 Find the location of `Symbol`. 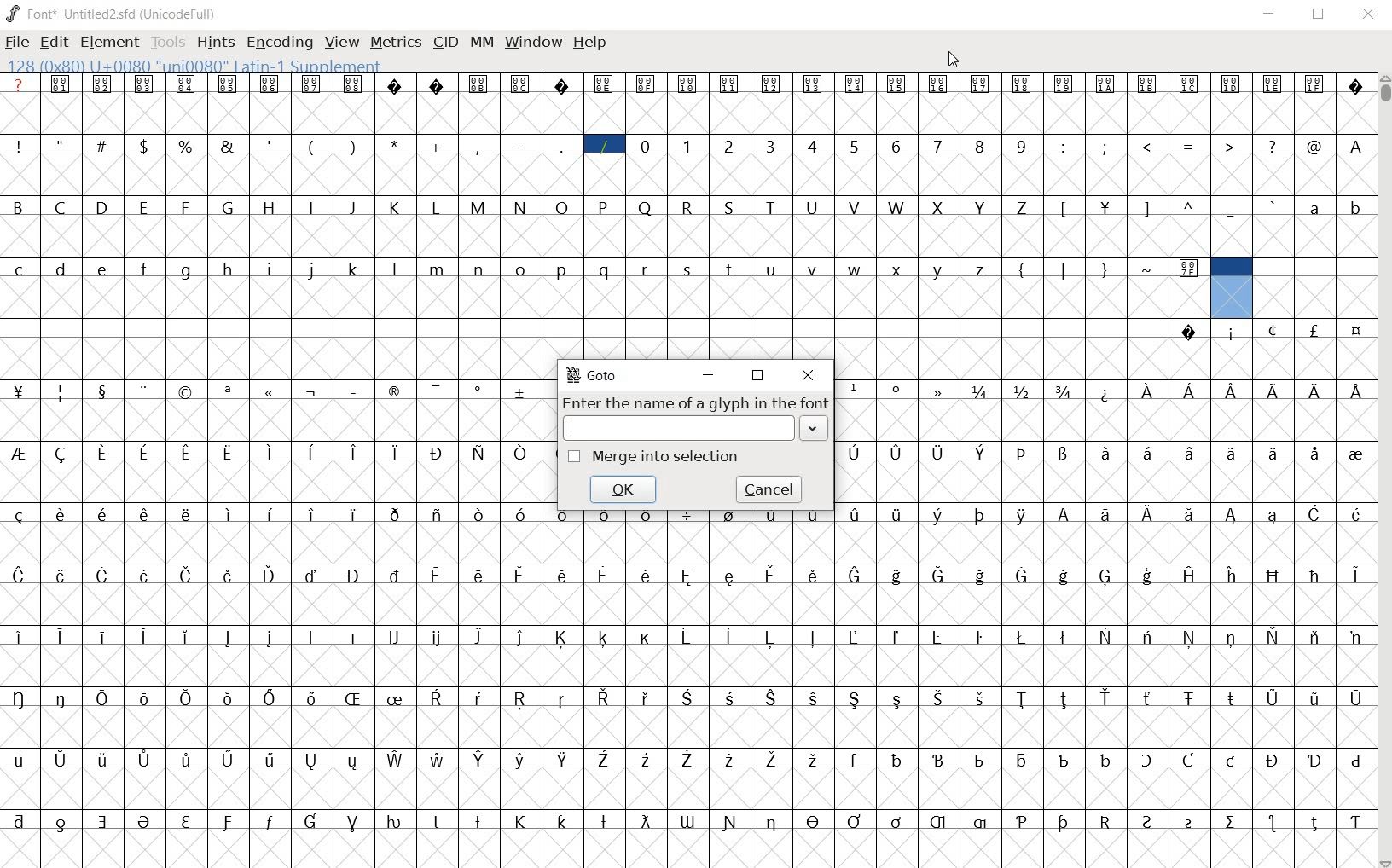

Symbol is located at coordinates (731, 823).